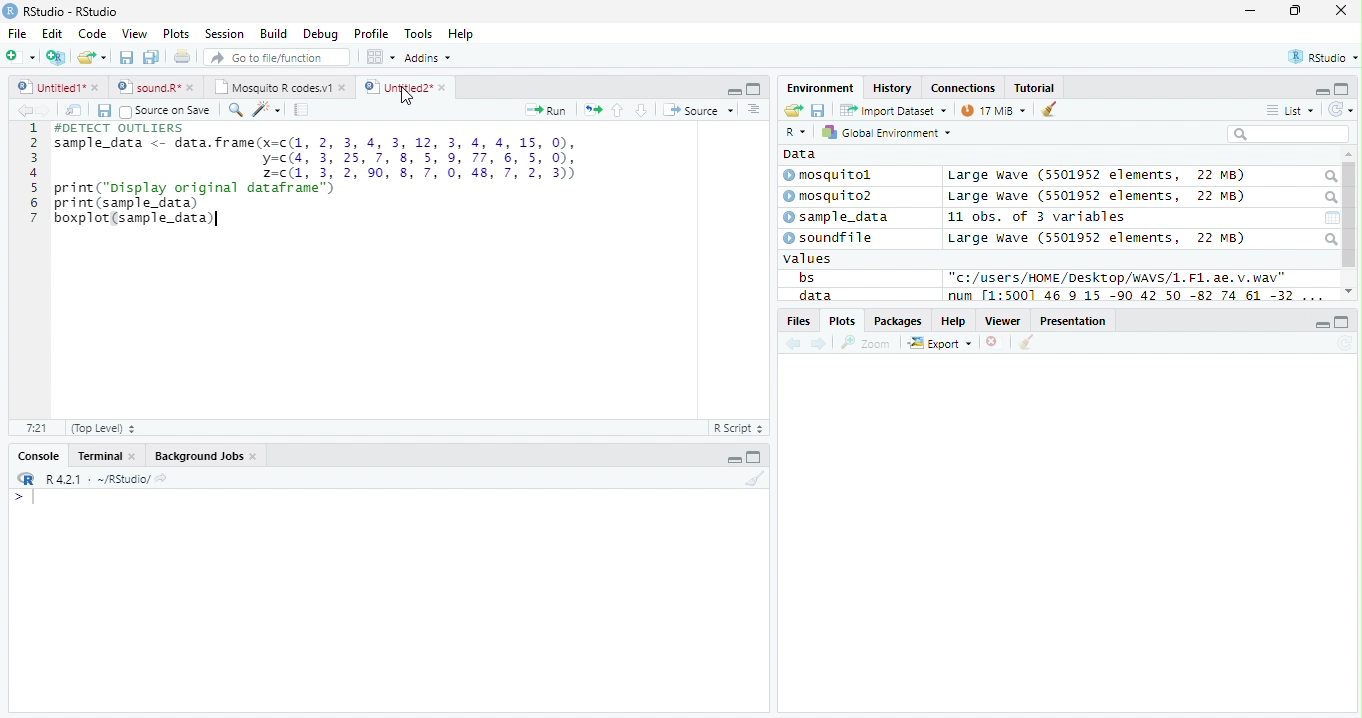 Image resolution: width=1362 pixels, height=718 pixels. What do you see at coordinates (1349, 155) in the screenshot?
I see `scroll up` at bounding box center [1349, 155].